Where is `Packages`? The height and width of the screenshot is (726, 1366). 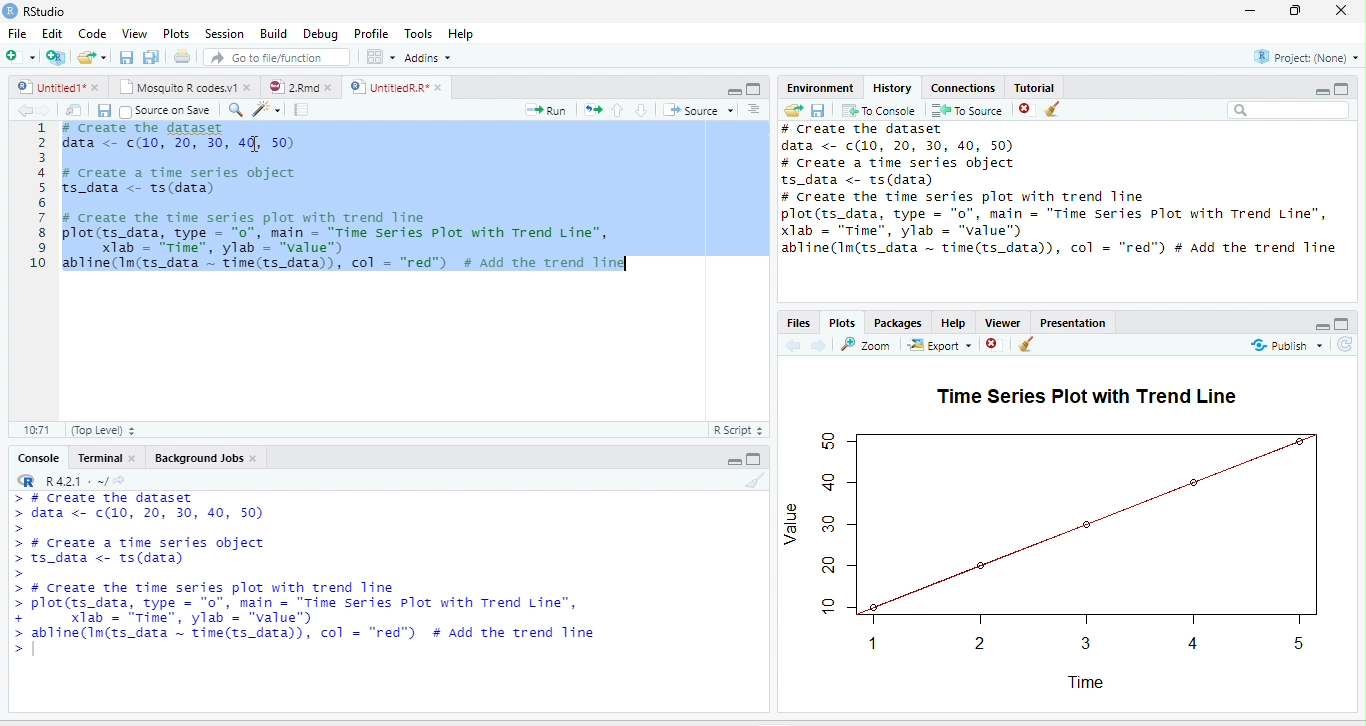 Packages is located at coordinates (897, 322).